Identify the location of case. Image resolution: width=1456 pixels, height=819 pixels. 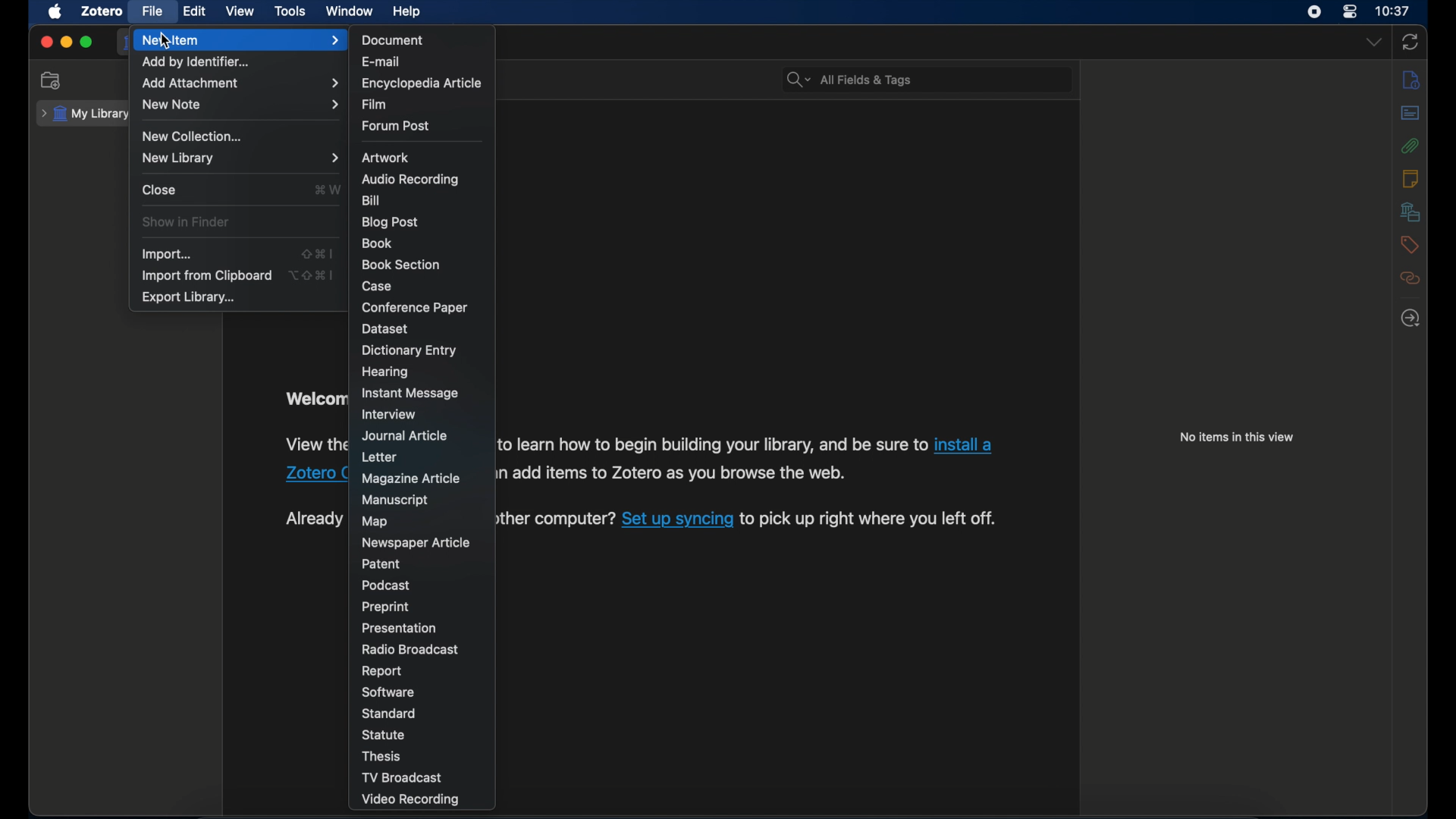
(378, 286).